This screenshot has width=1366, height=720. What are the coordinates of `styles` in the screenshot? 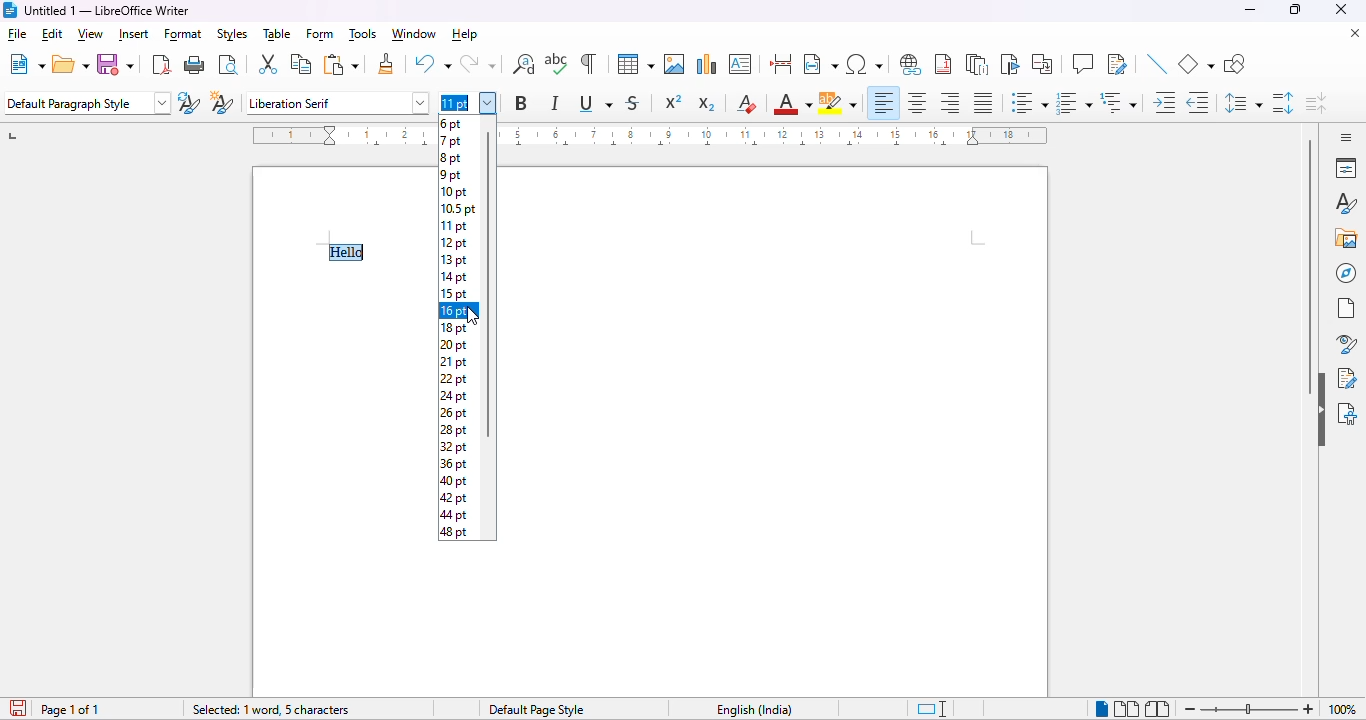 It's located at (232, 34).